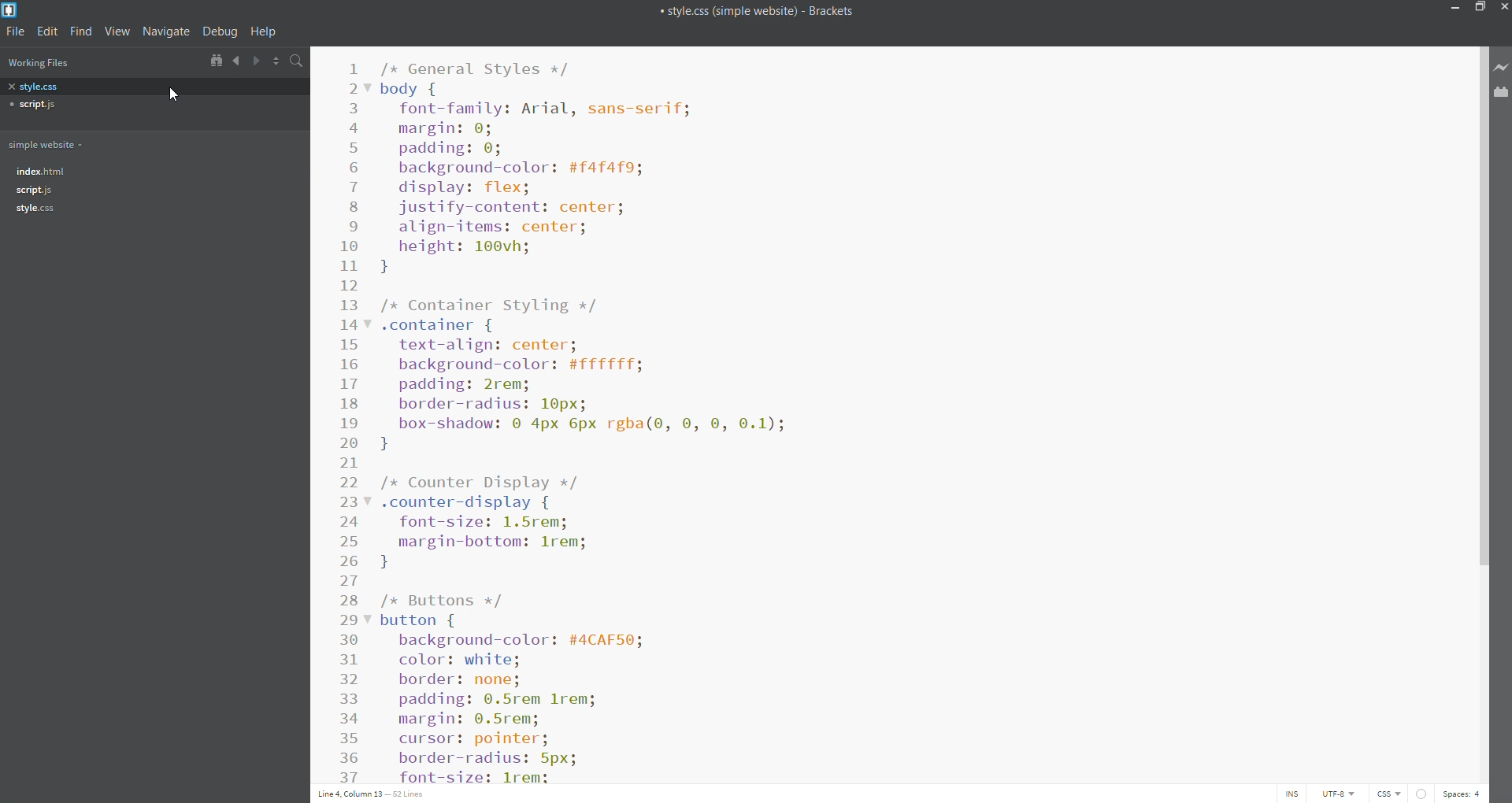 This screenshot has height=803, width=1512. Describe the element at coordinates (152, 171) in the screenshot. I see `index.html` at that location.